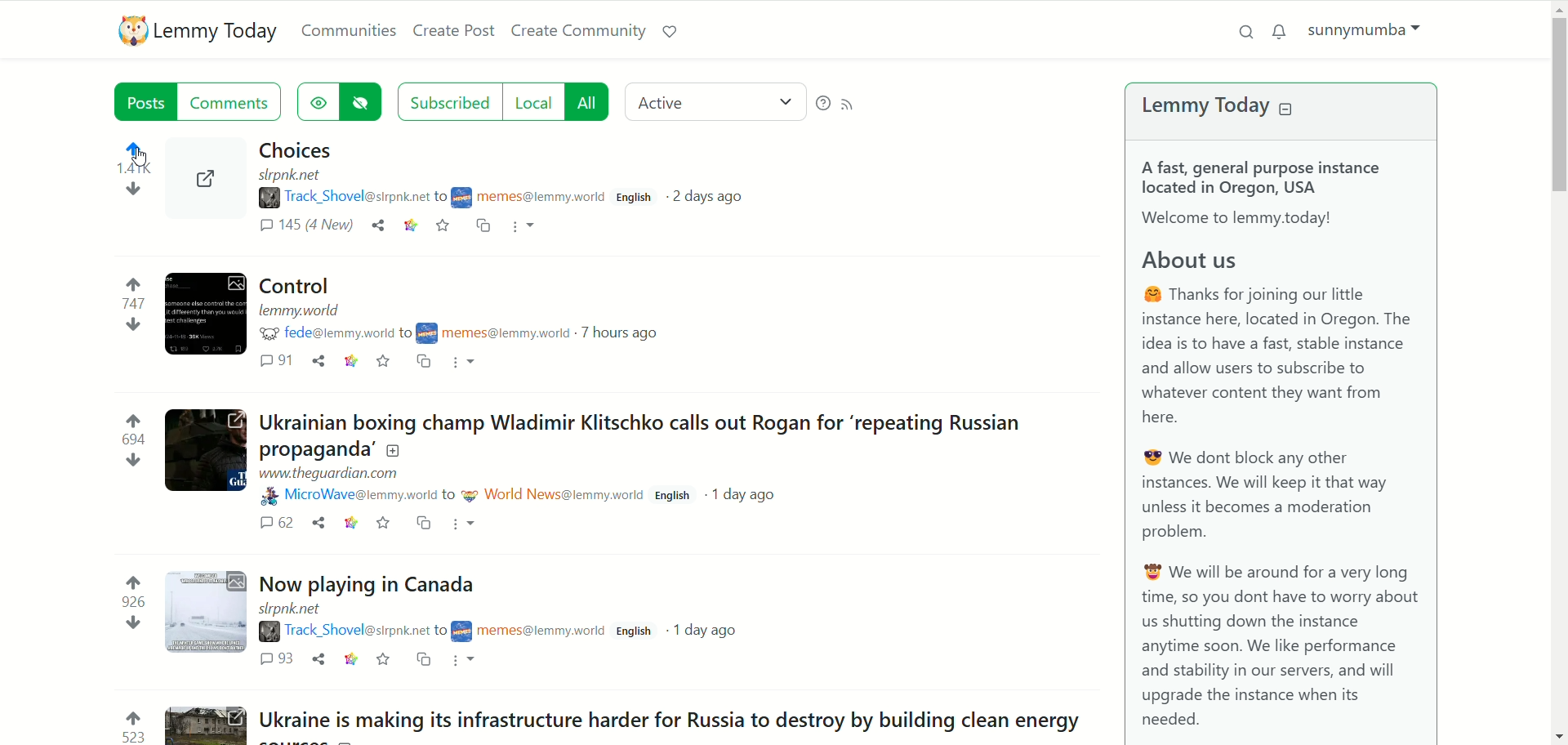 The image size is (1568, 745). I want to click on copy, so click(421, 361).